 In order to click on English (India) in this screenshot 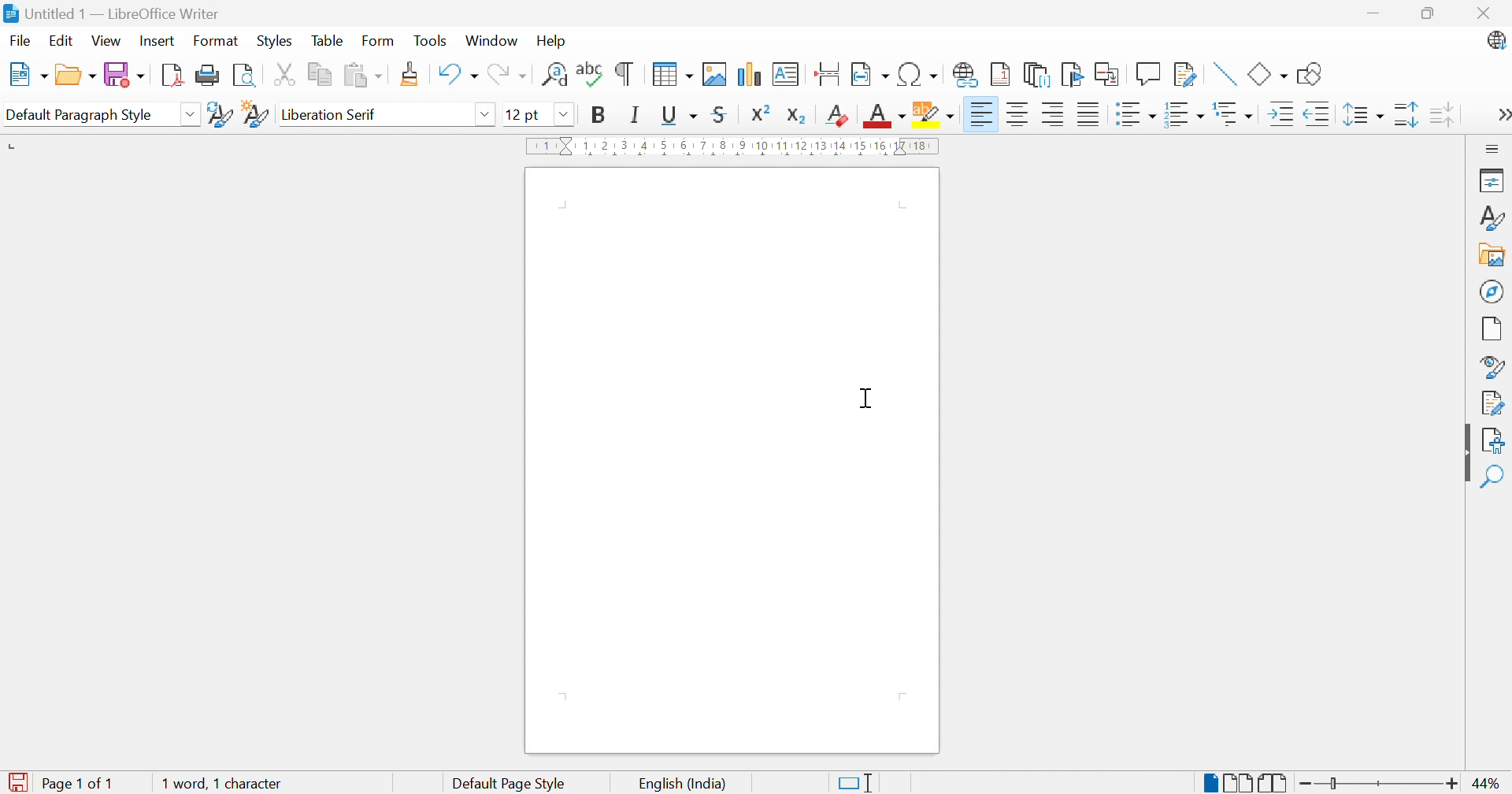, I will do `click(684, 785)`.